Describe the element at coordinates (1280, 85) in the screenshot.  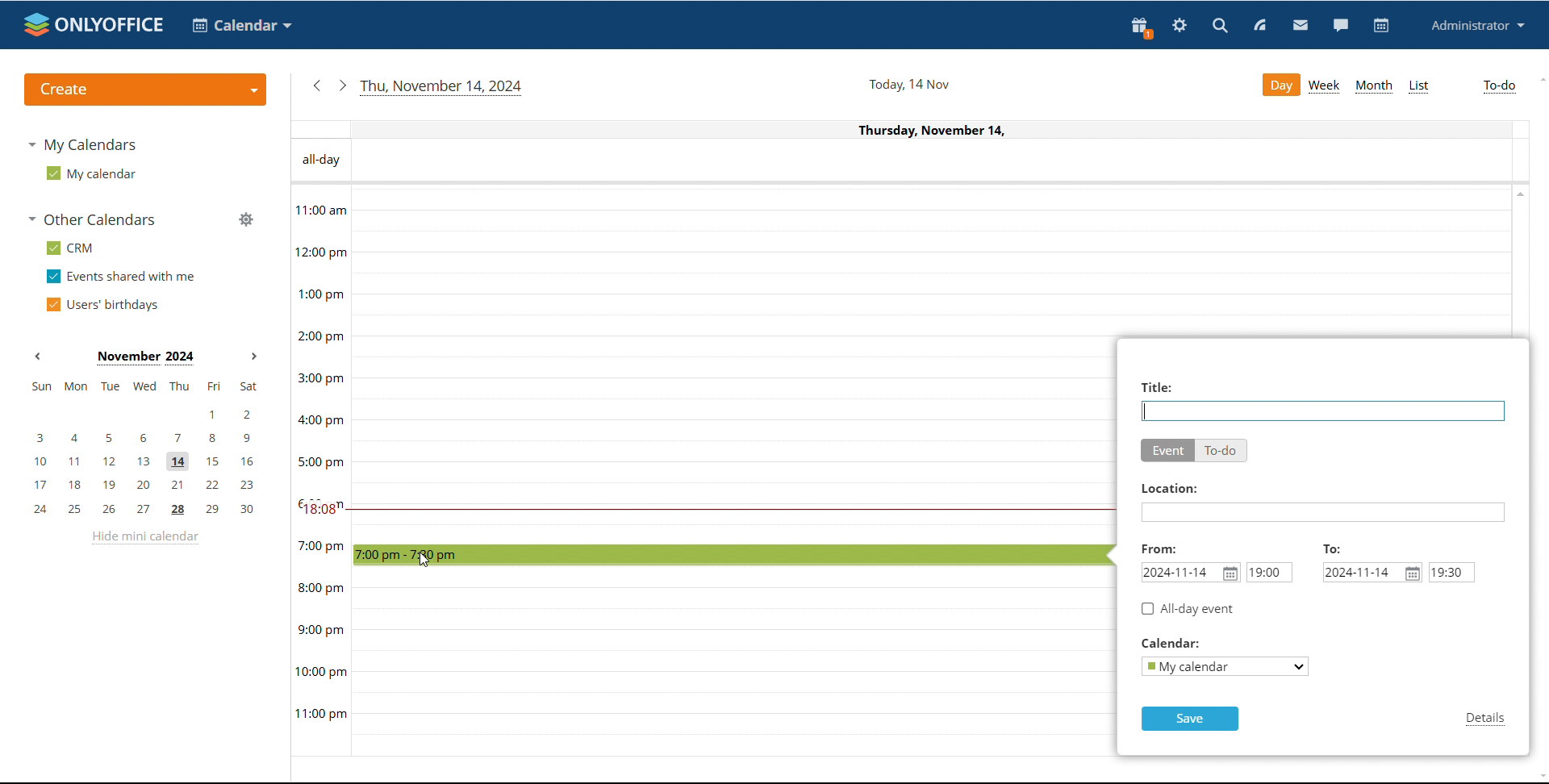
I see `day view` at that location.